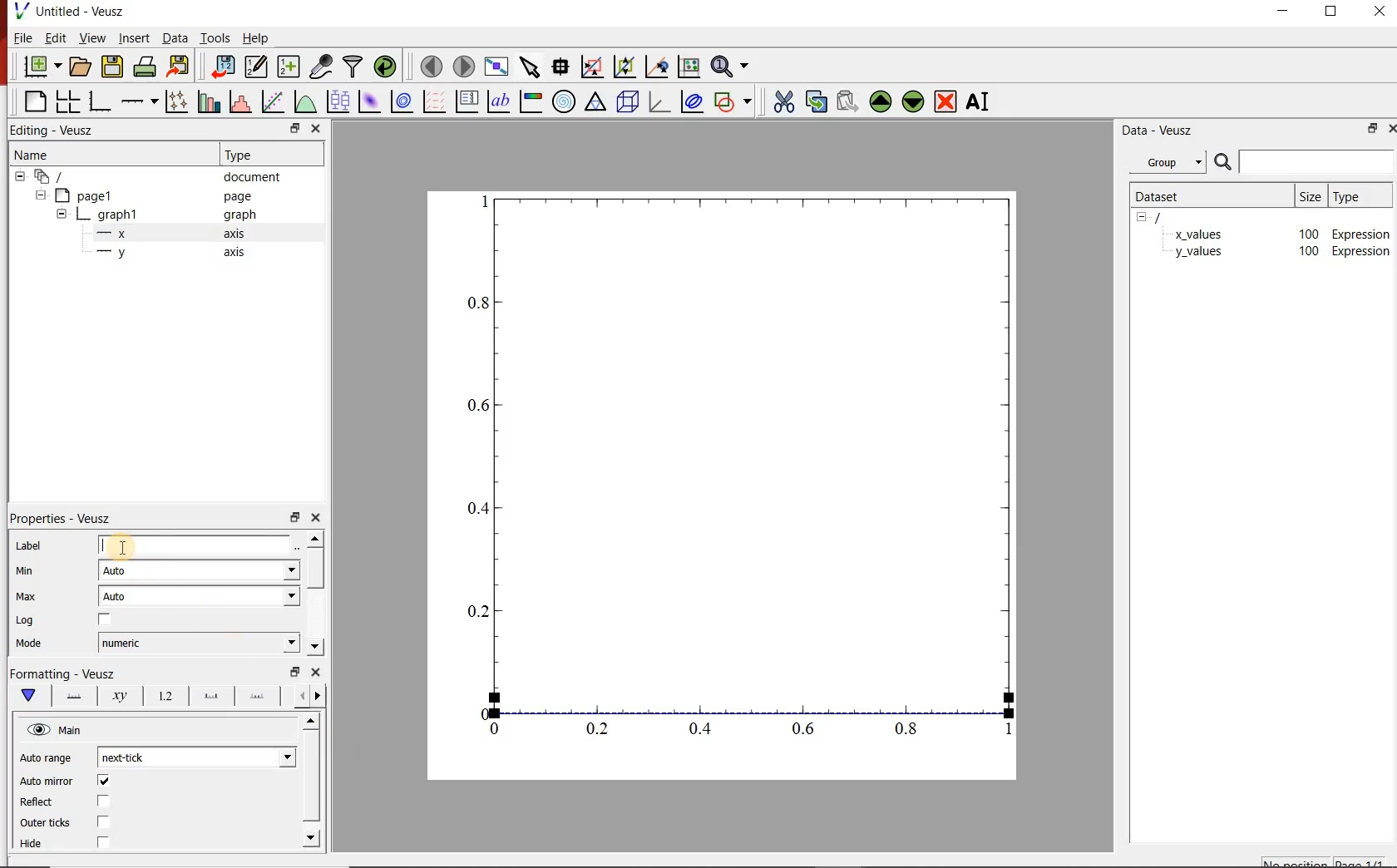 This screenshot has height=868, width=1397. I want to click on restore down, so click(294, 671).